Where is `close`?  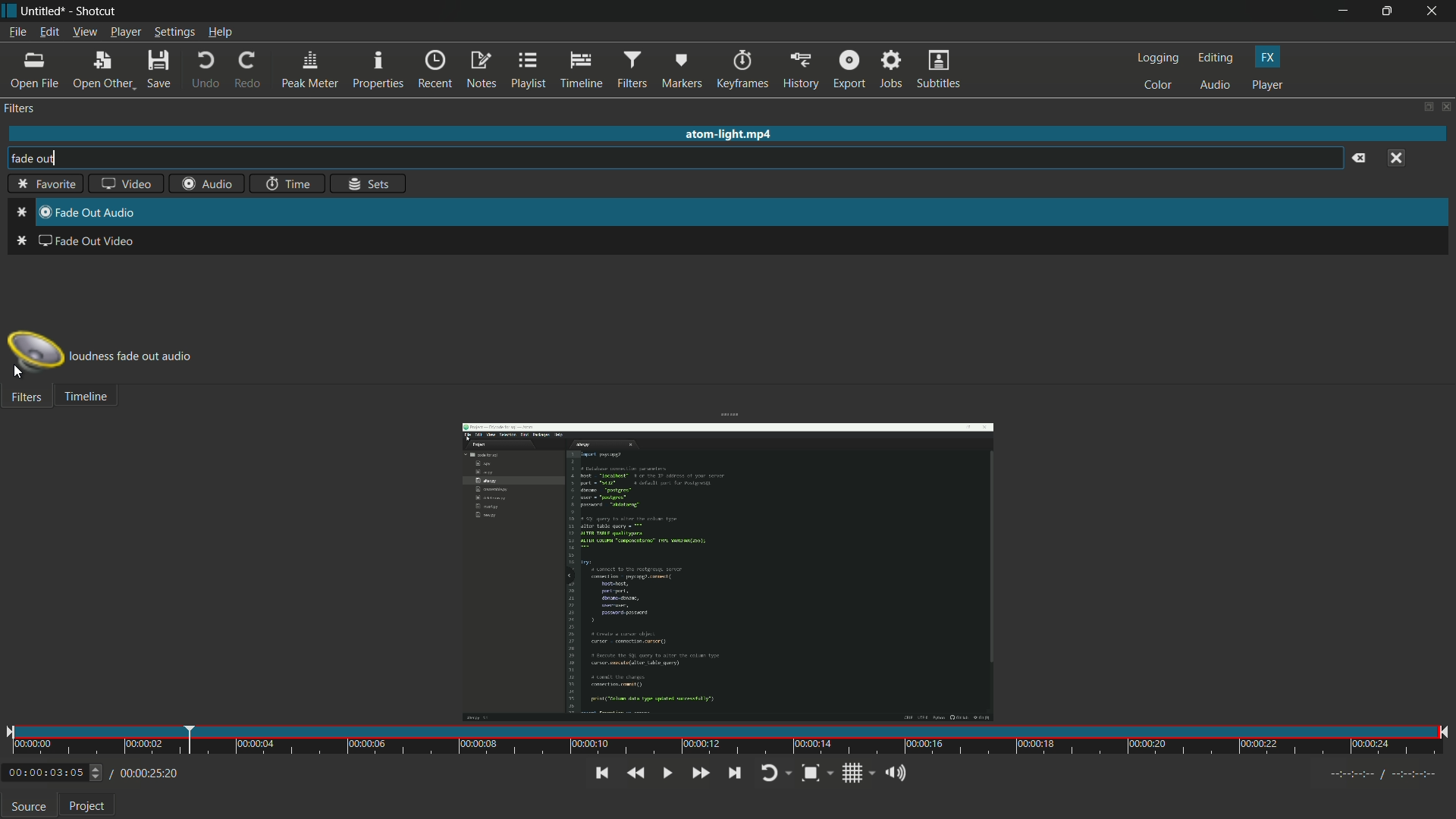
close is located at coordinates (1401, 156).